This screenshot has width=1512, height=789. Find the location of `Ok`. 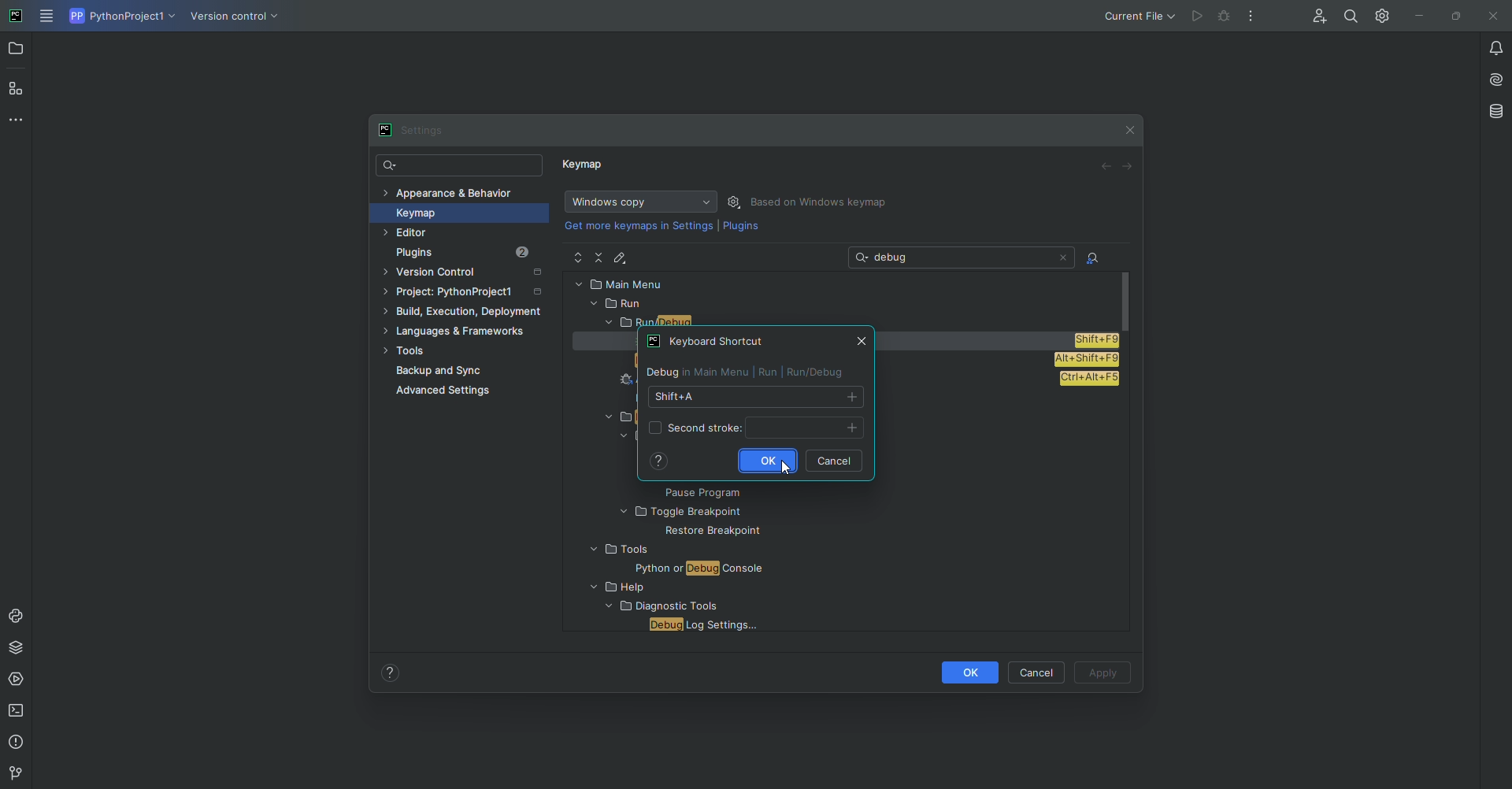

Ok is located at coordinates (770, 461).